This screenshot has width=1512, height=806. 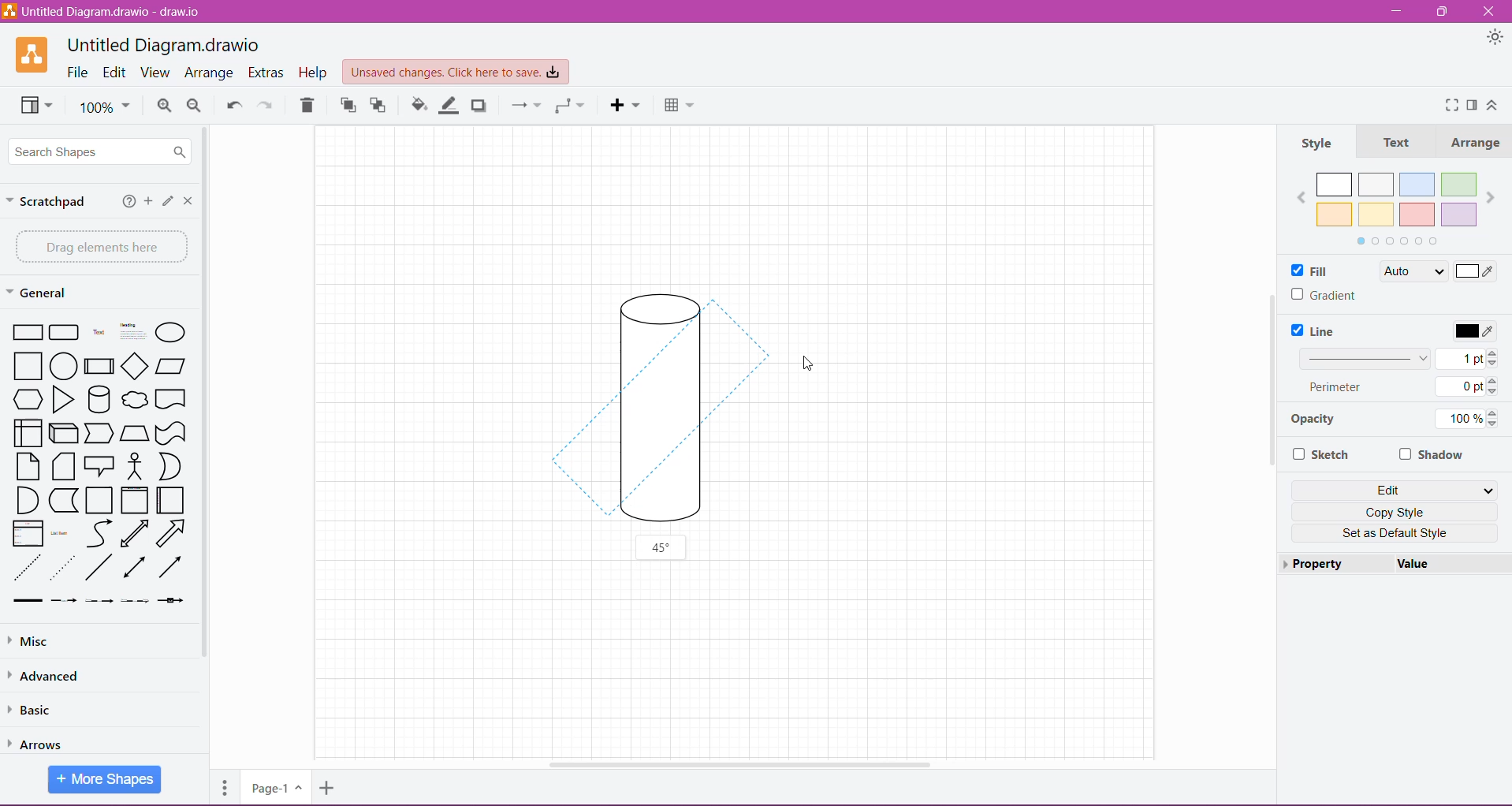 I want to click on Arrange, so click(x=1475, y=141).